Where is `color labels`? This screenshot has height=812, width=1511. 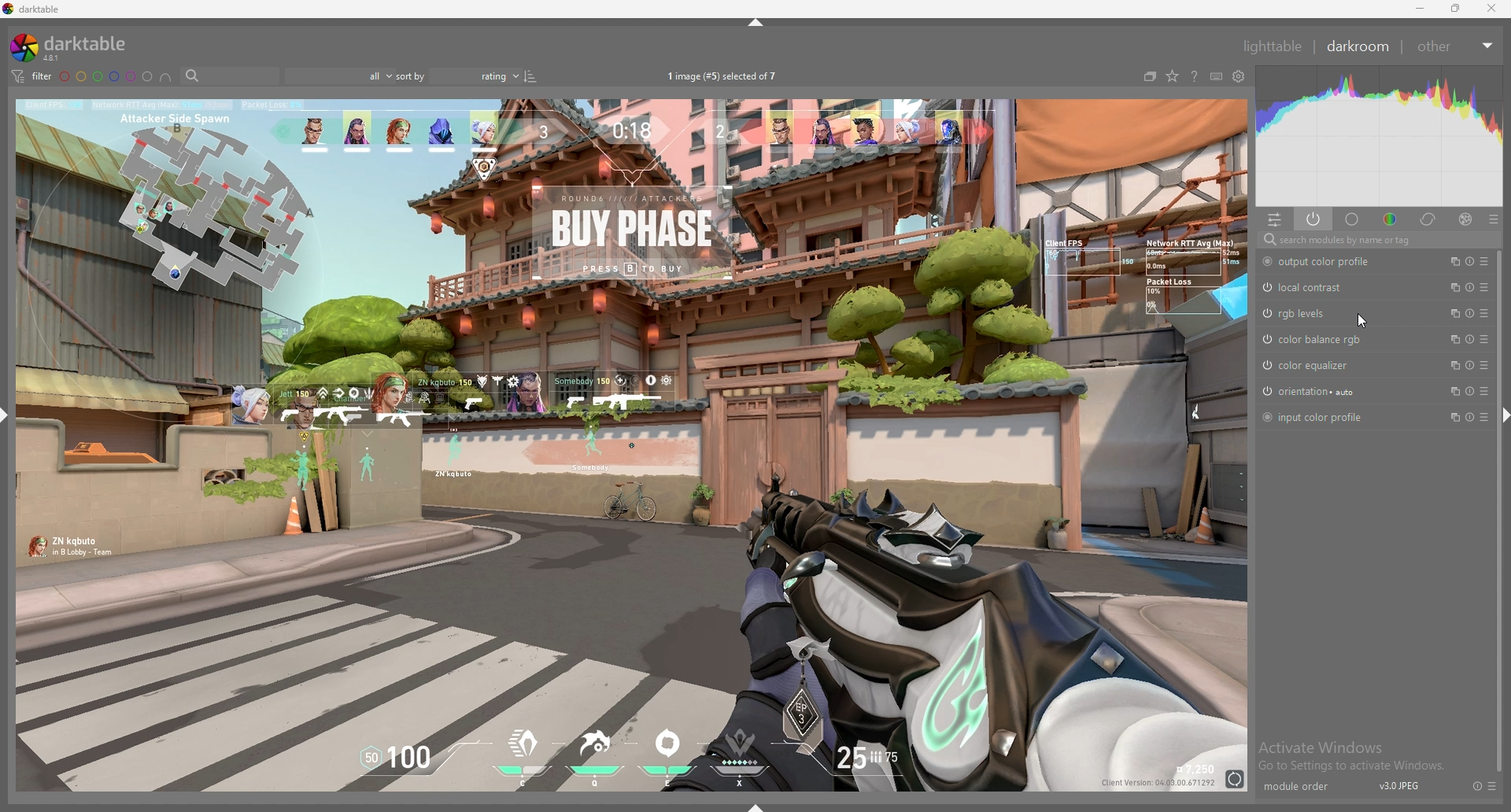
color labels is located at coordinates (105, 76).